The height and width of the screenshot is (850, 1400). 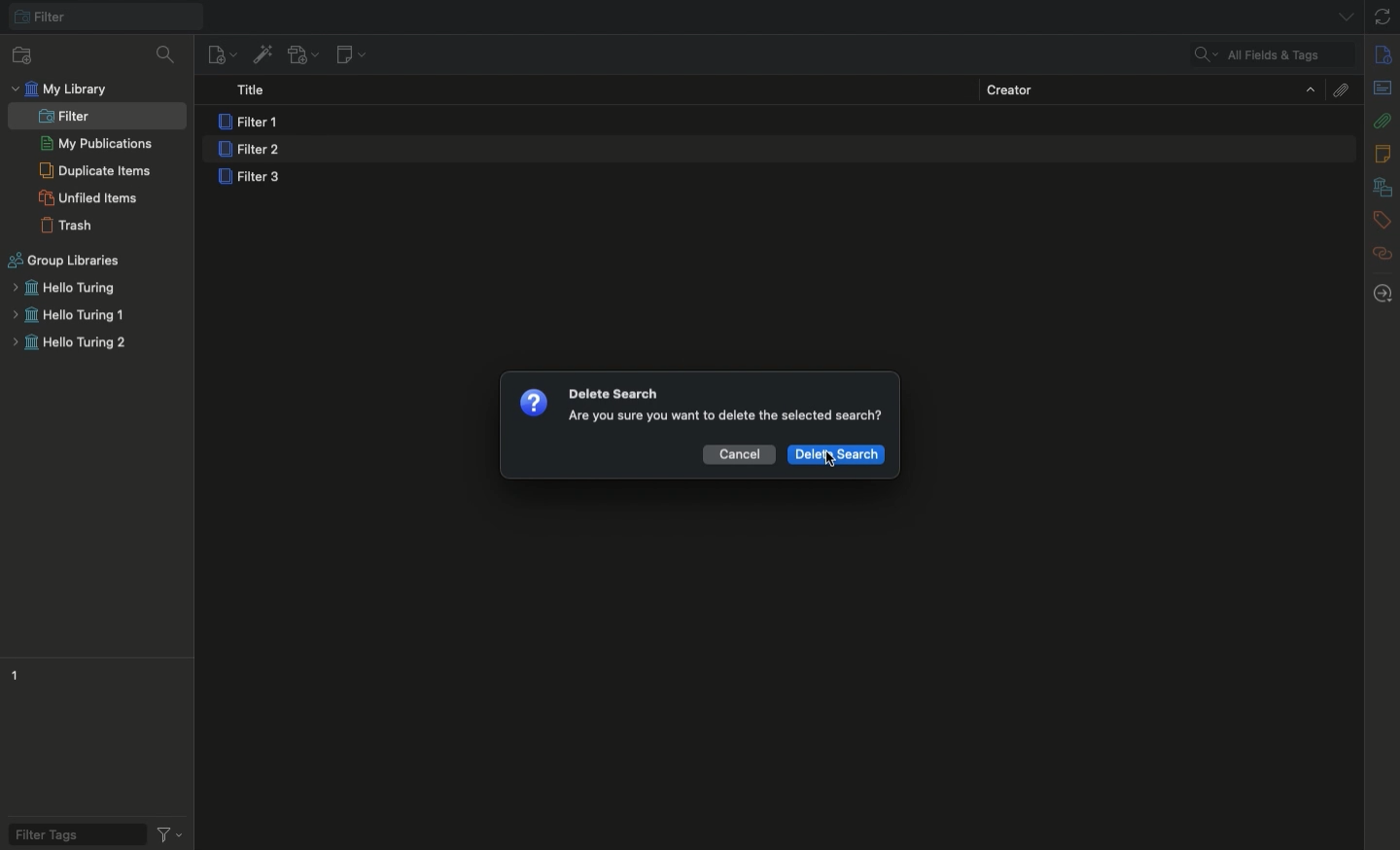 What do you see at coordinates (534, 402) in the screenshot?
I see `Question mark emblem` at bounding box center [534, 402].